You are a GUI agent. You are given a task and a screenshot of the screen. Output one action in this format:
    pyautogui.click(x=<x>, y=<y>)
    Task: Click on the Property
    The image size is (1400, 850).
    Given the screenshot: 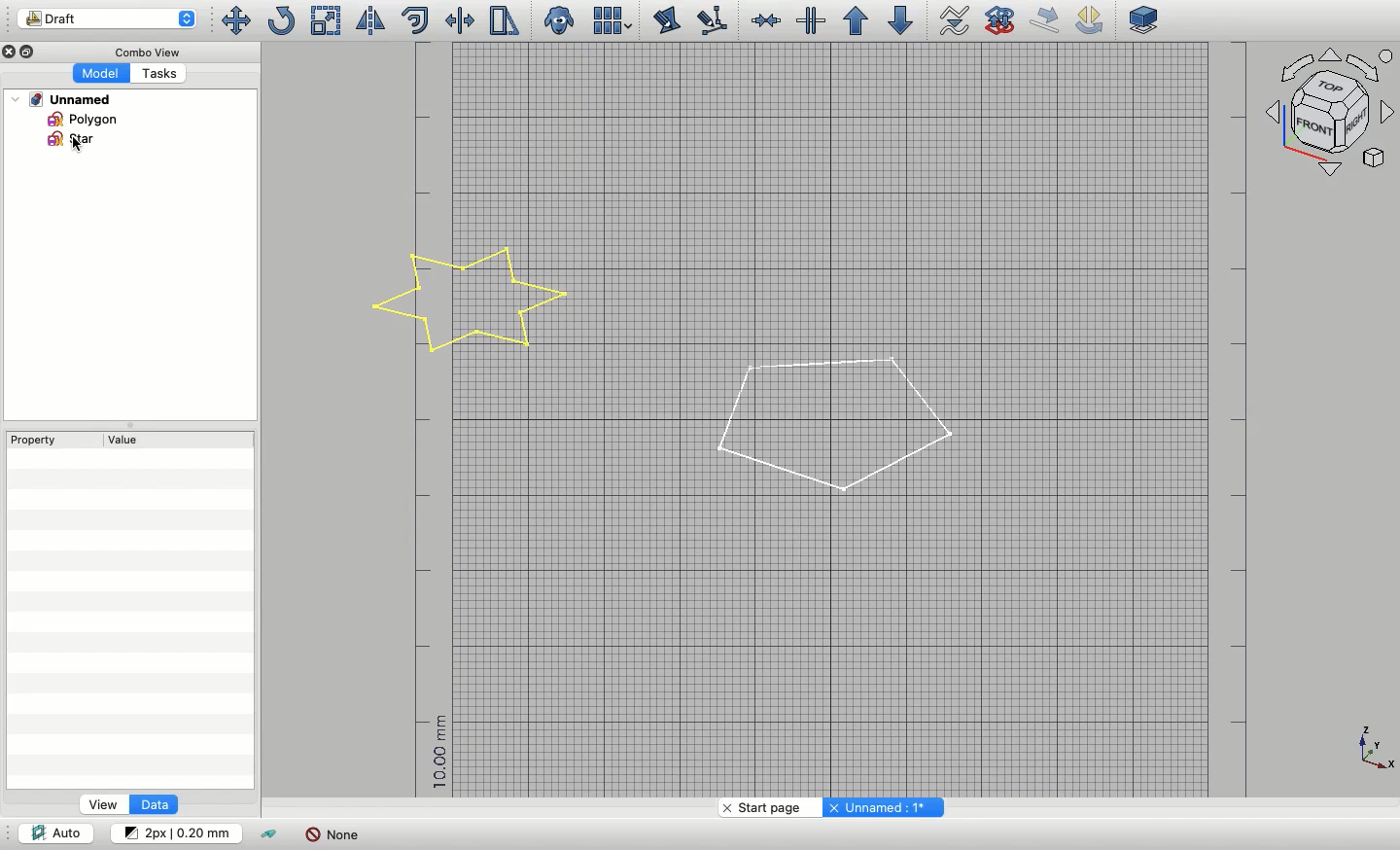 What is the action you would take?
    pyautogui.click(x=34, y=440)
    